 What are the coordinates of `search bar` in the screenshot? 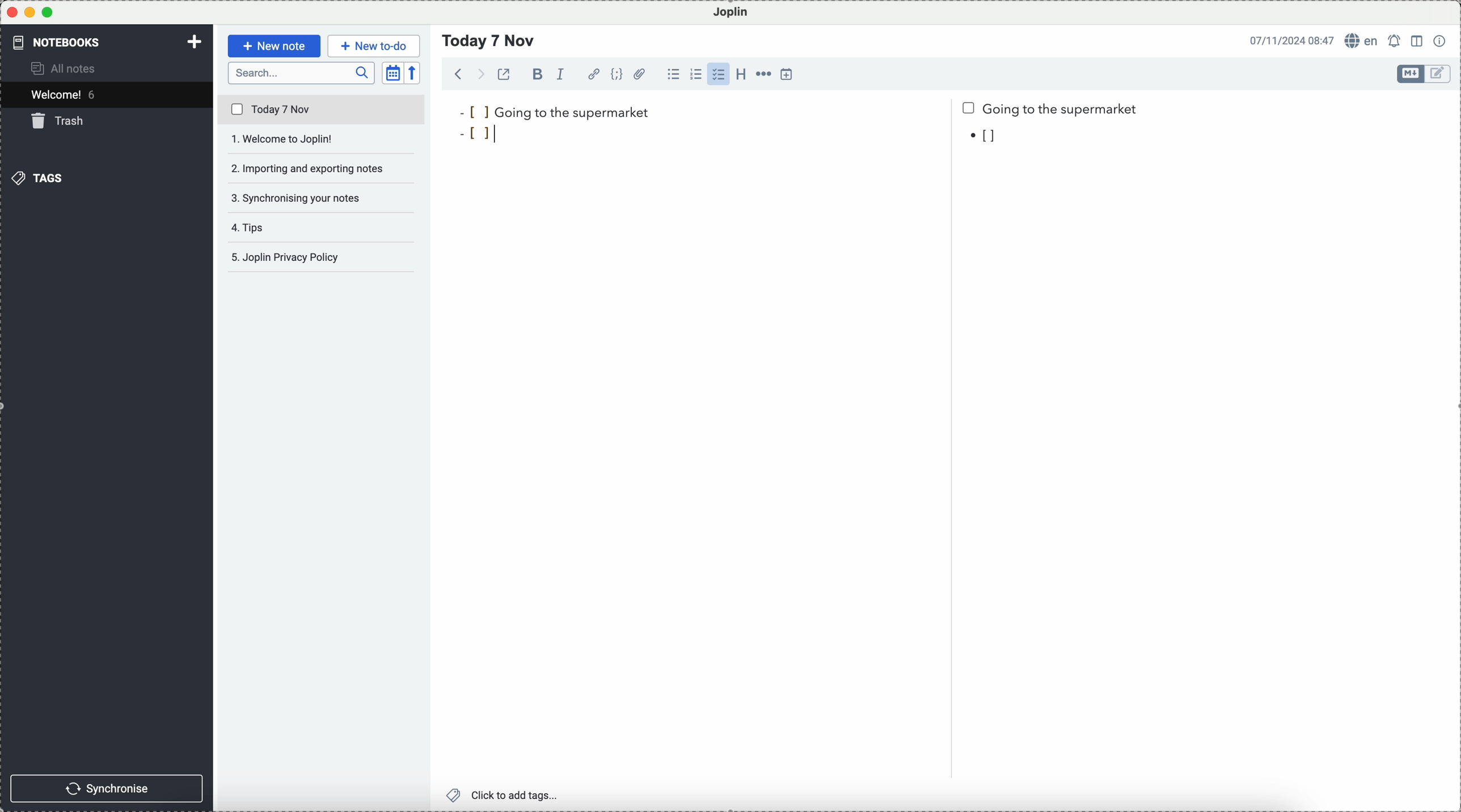 It's located at (302, 73).